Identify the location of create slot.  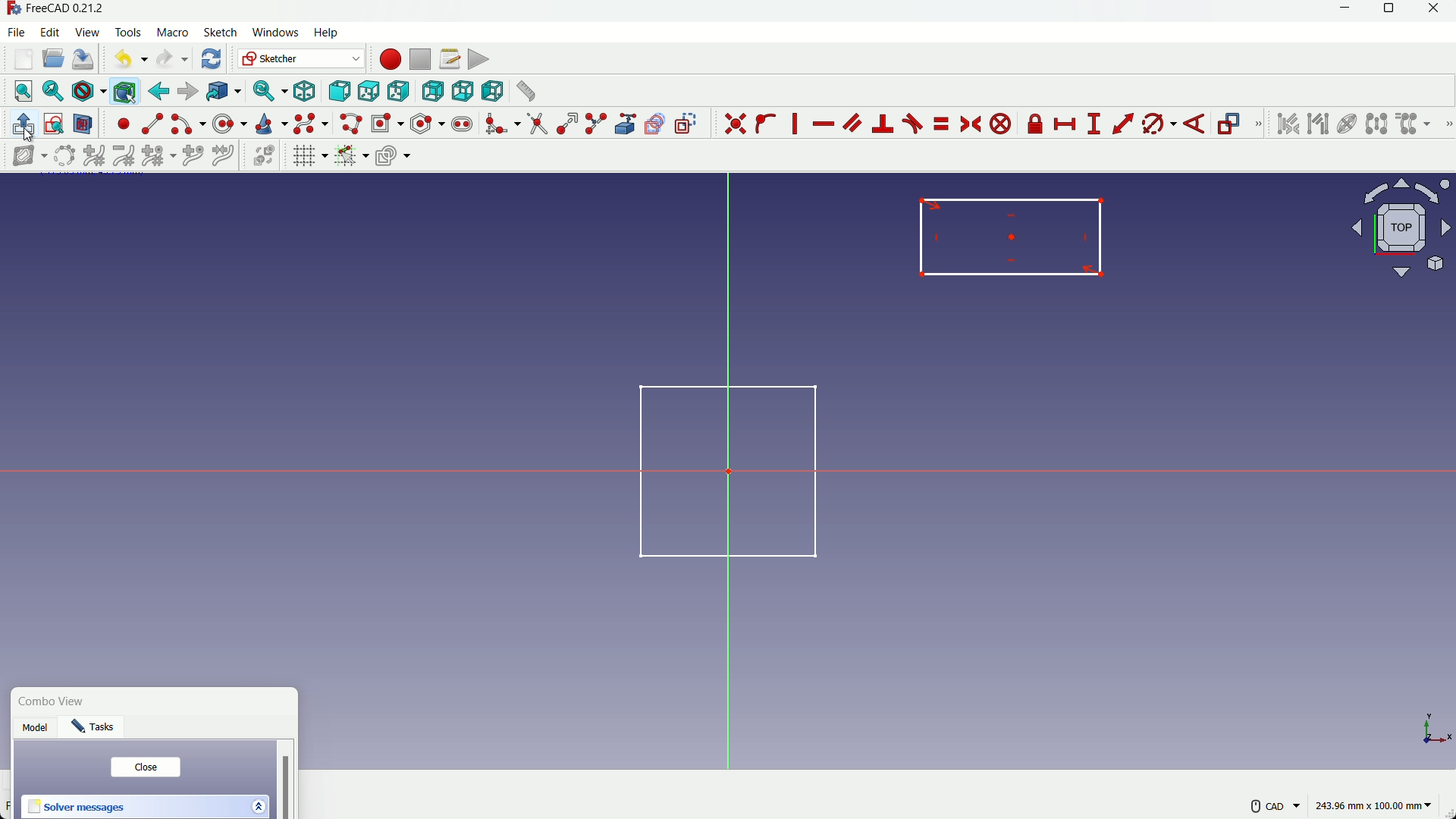
(462, 124).